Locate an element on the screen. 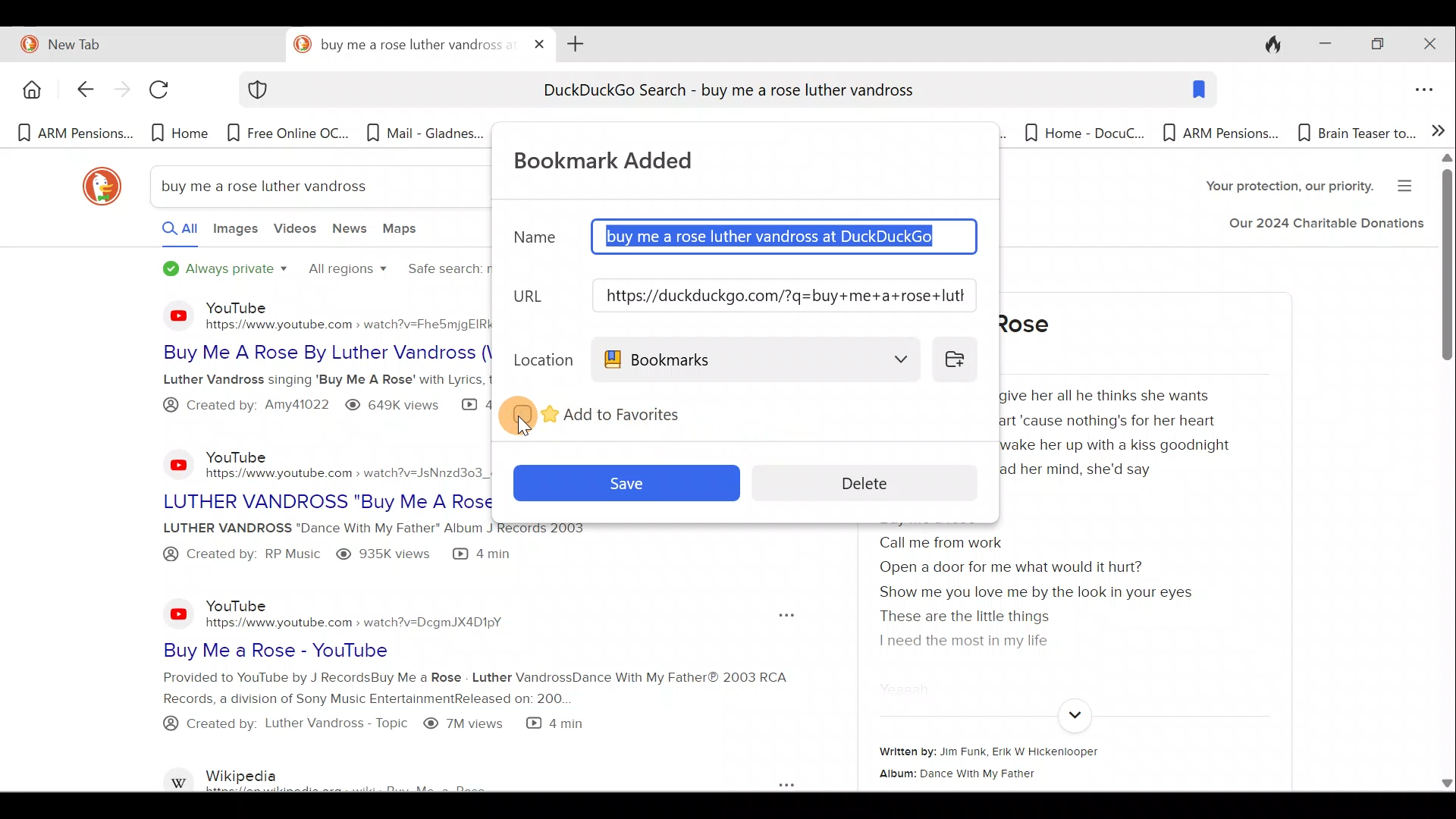  DuckDuckGo Search - buy me a rose luther vandross is located at coordinates (726, 93).